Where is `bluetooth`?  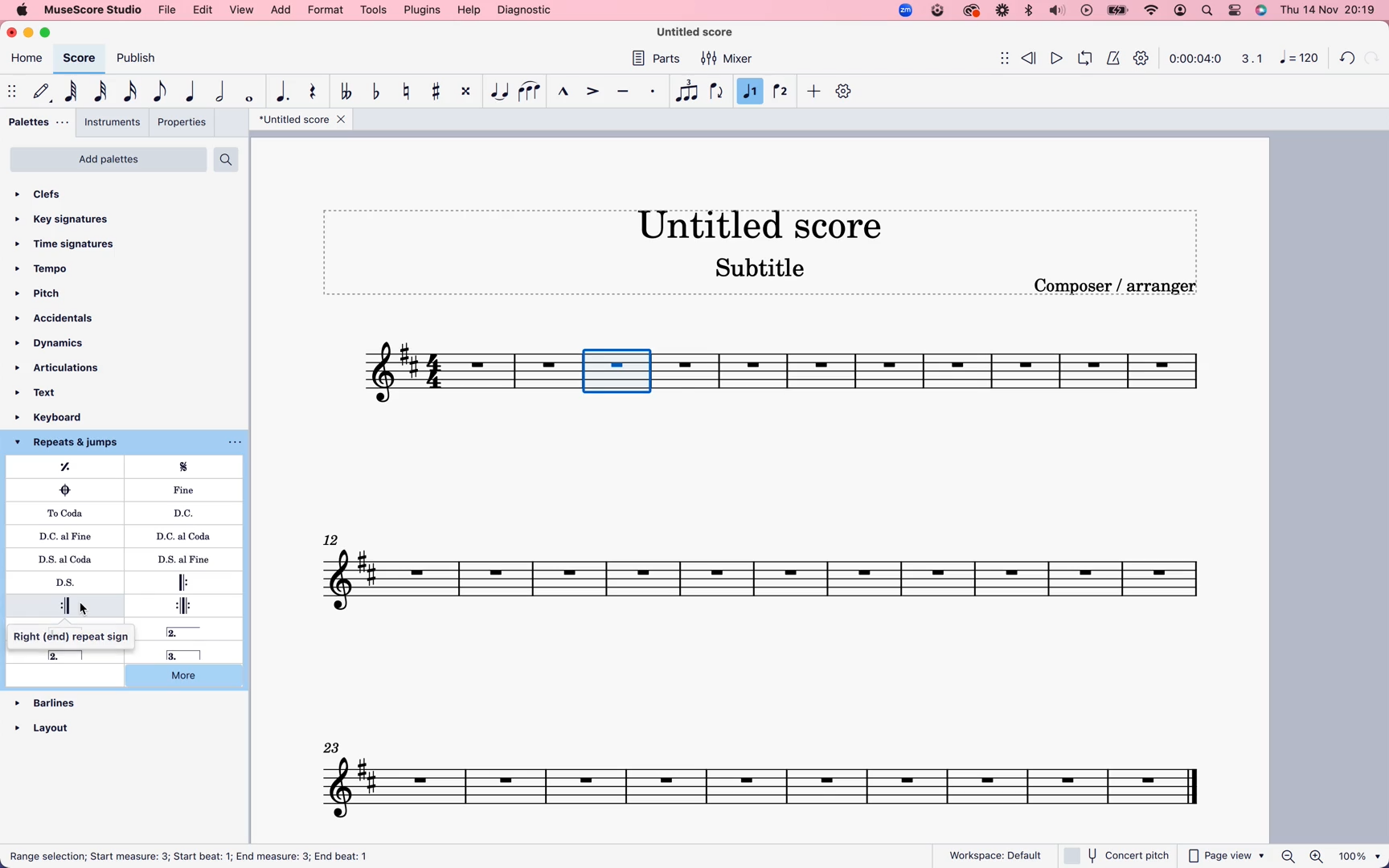
bluetooth is located at coordinates (1027, 11).